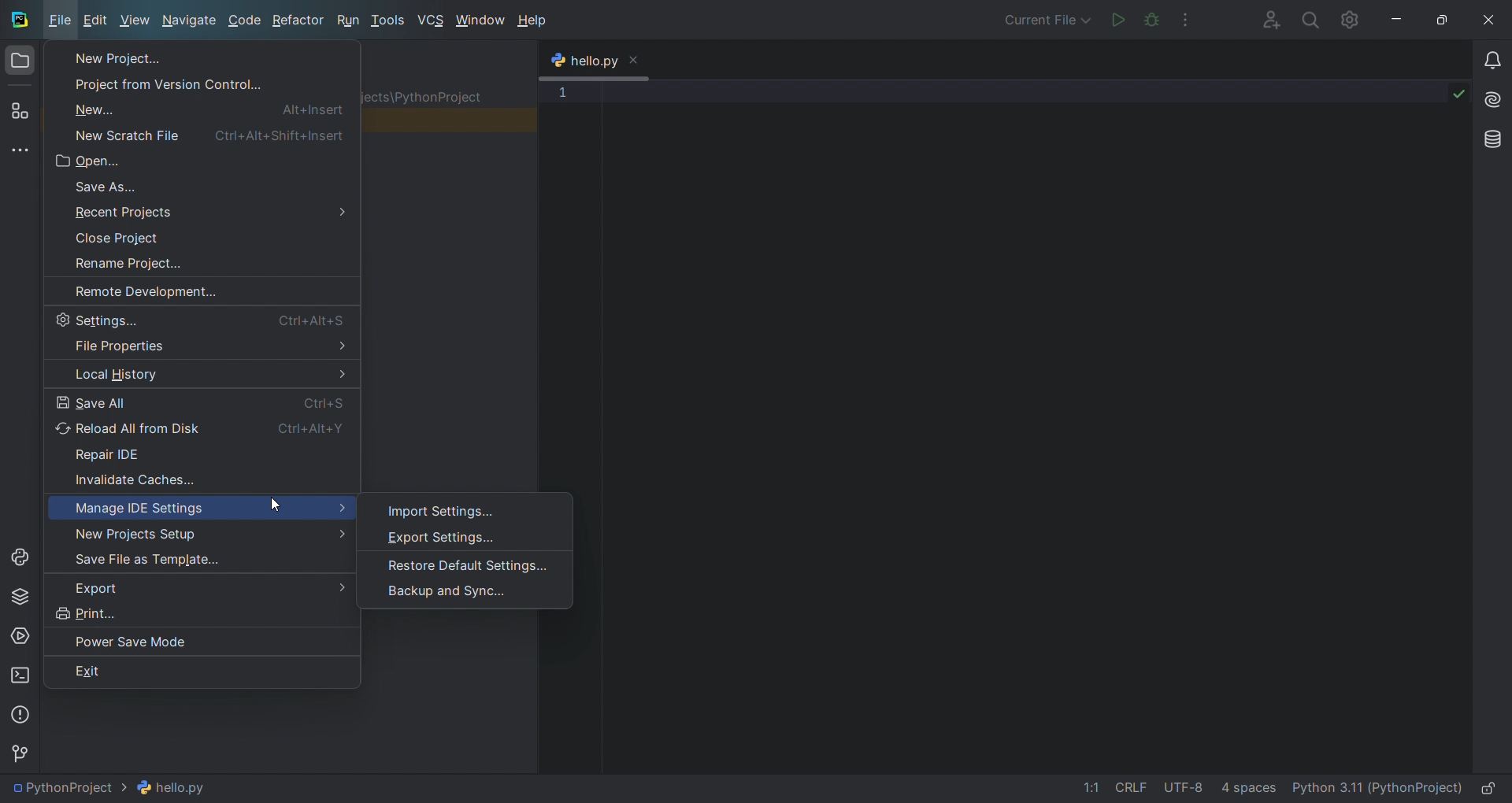 This screenshot has width=1512, height=803. What do you see at coordinates (22, 111) in the screenshot?
I see `structure` at bounding box center [22, 111].